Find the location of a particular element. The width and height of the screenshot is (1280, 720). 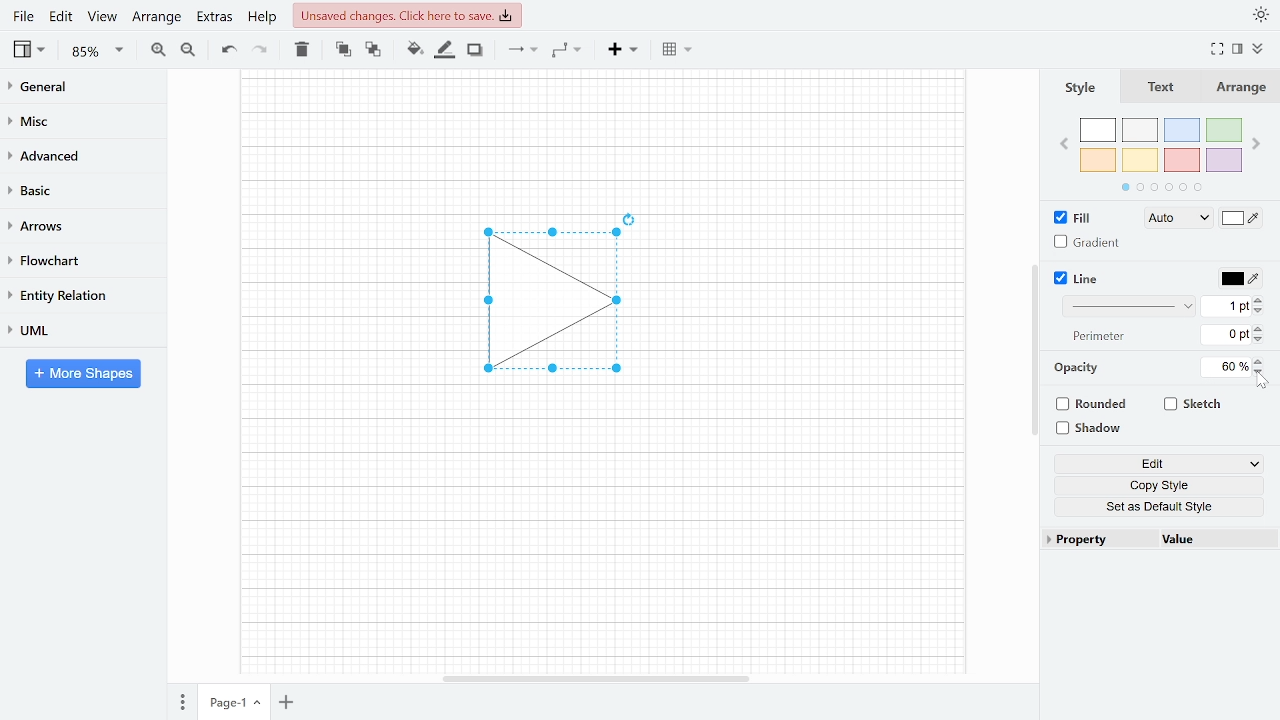

Shadow is located at coordinates (475, 50).